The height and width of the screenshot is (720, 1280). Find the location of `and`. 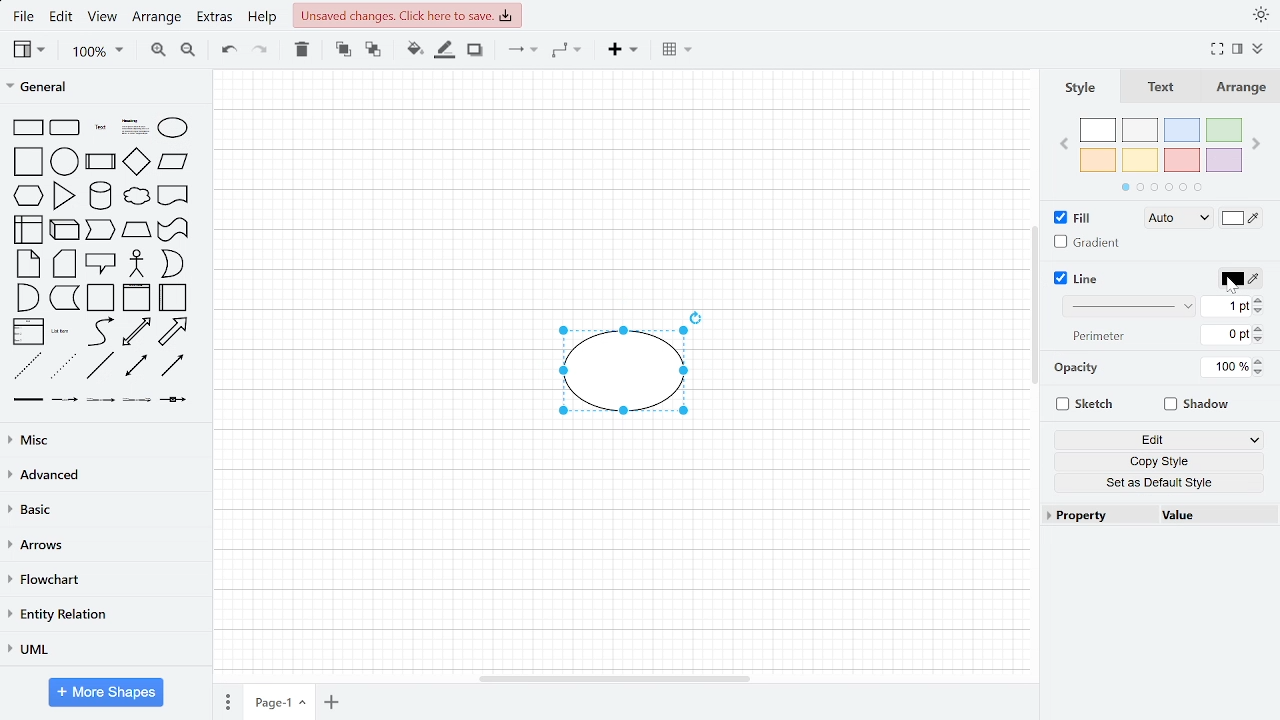

and is located at coordinates (30, 296).